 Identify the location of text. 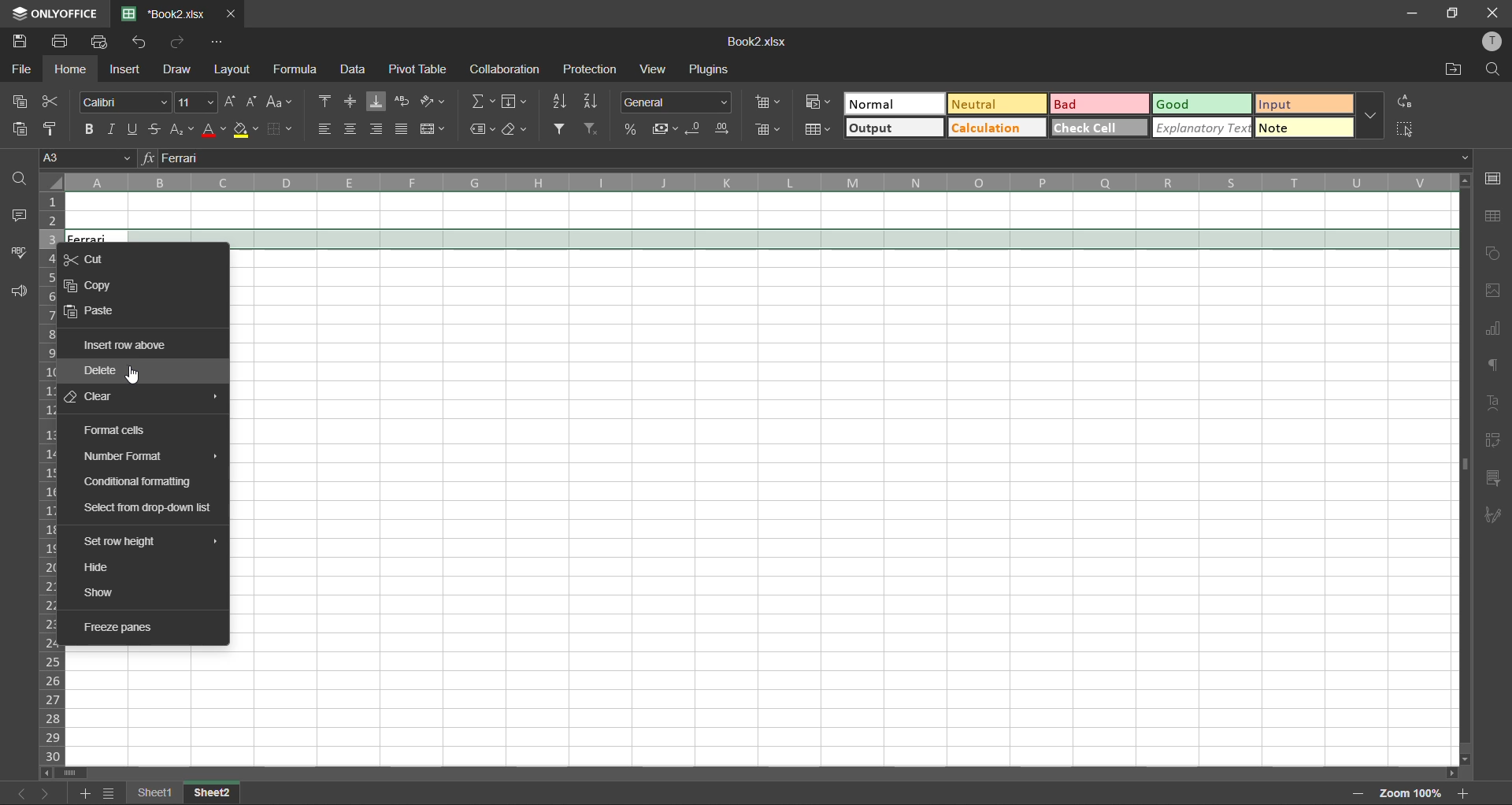
(1497, 401).